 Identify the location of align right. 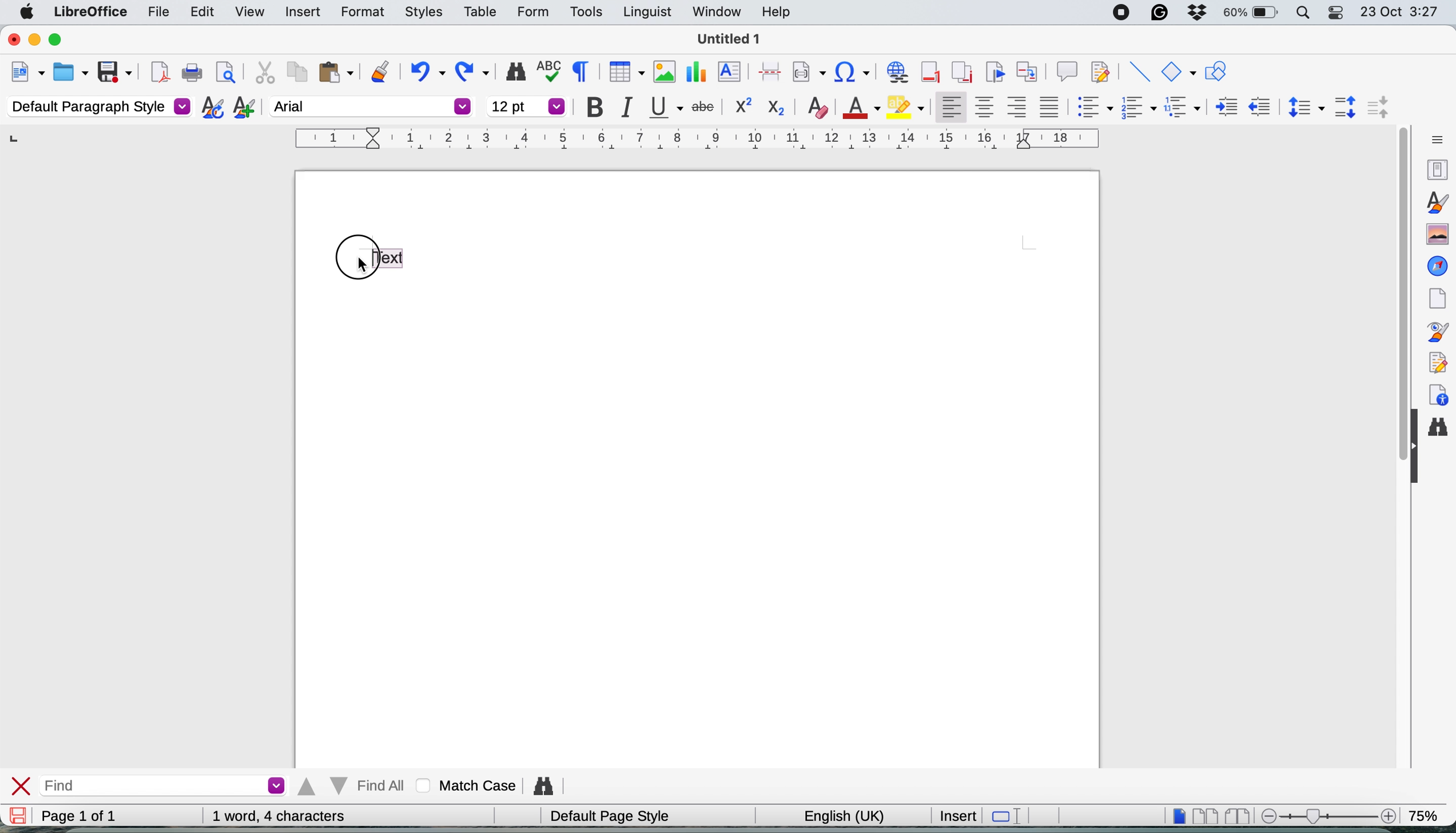
(1018, 109).